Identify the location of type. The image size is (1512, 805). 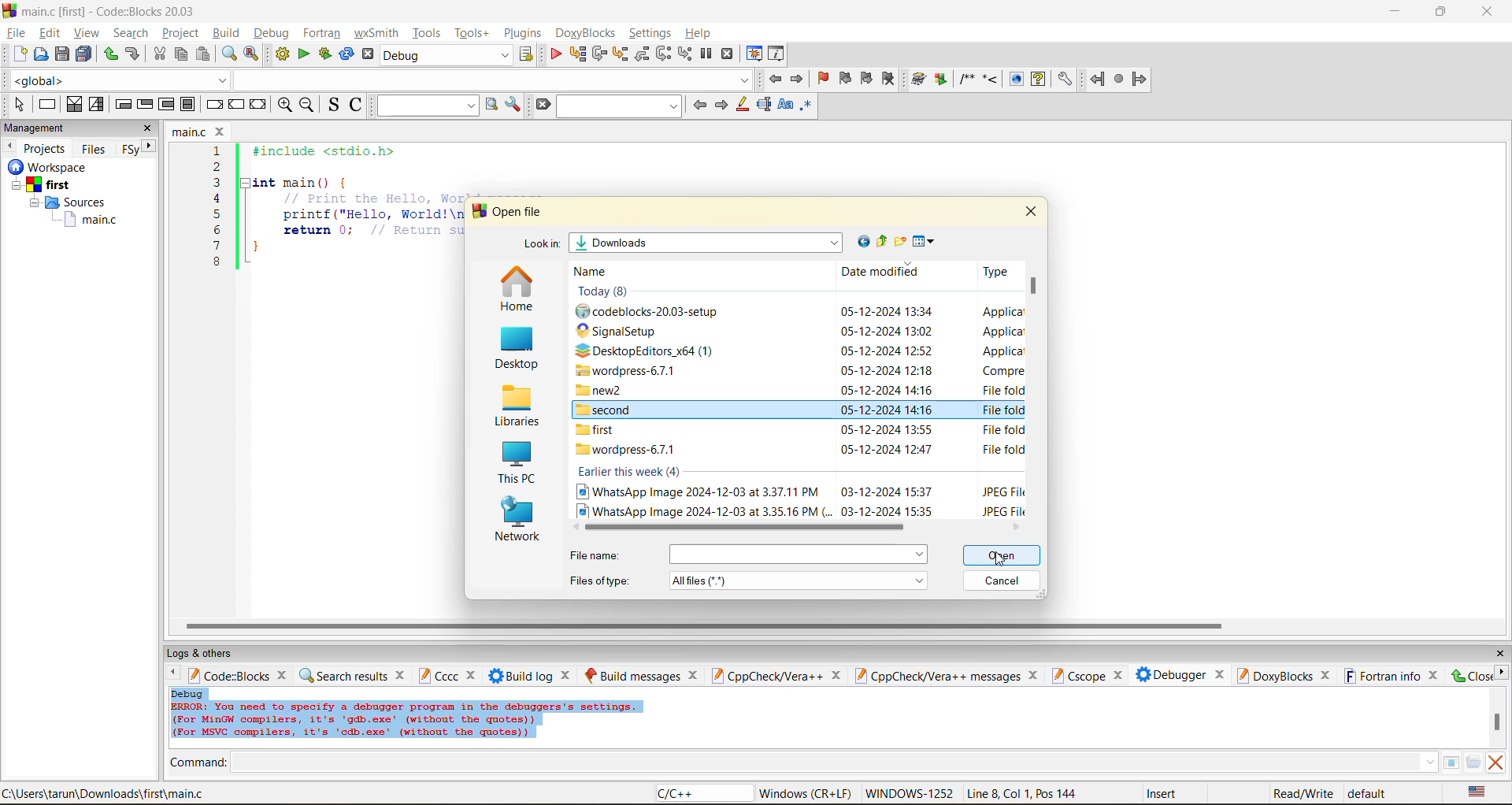
(1001, 431).